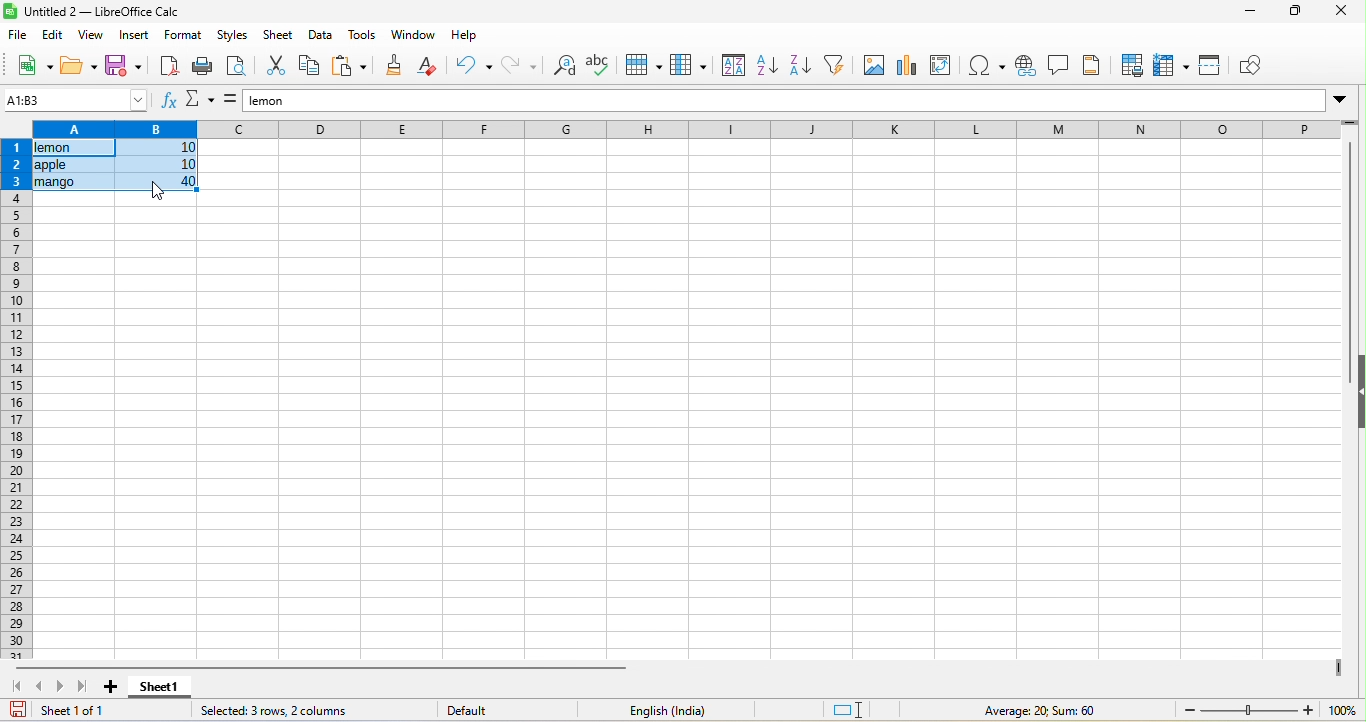  I want to click on column headings, so click(680, 128).